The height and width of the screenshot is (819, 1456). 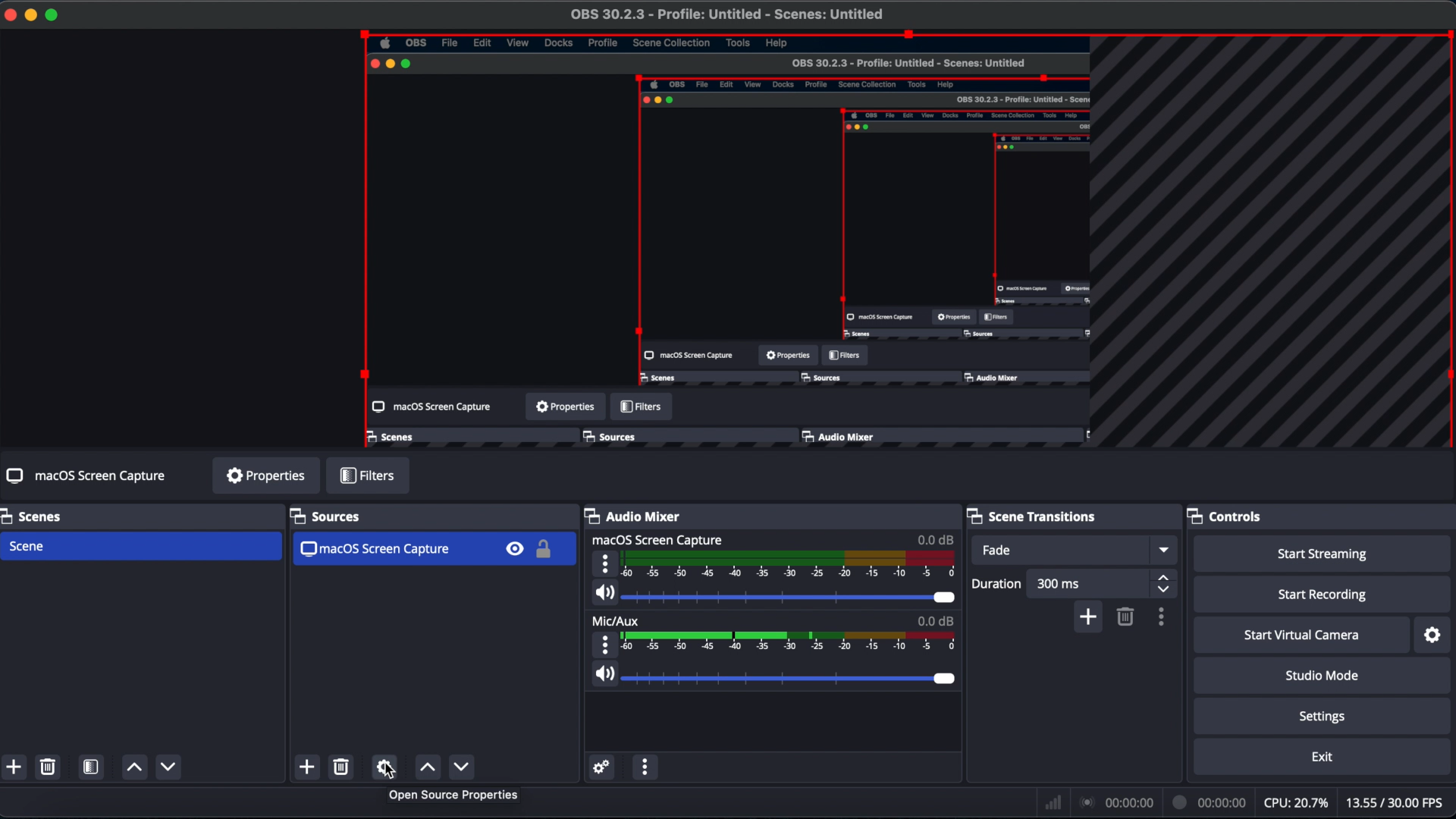 What do you see at coordinates (1323, 676) in the screenshot?
I see `studio mode` at bounding box center [1323, 676].